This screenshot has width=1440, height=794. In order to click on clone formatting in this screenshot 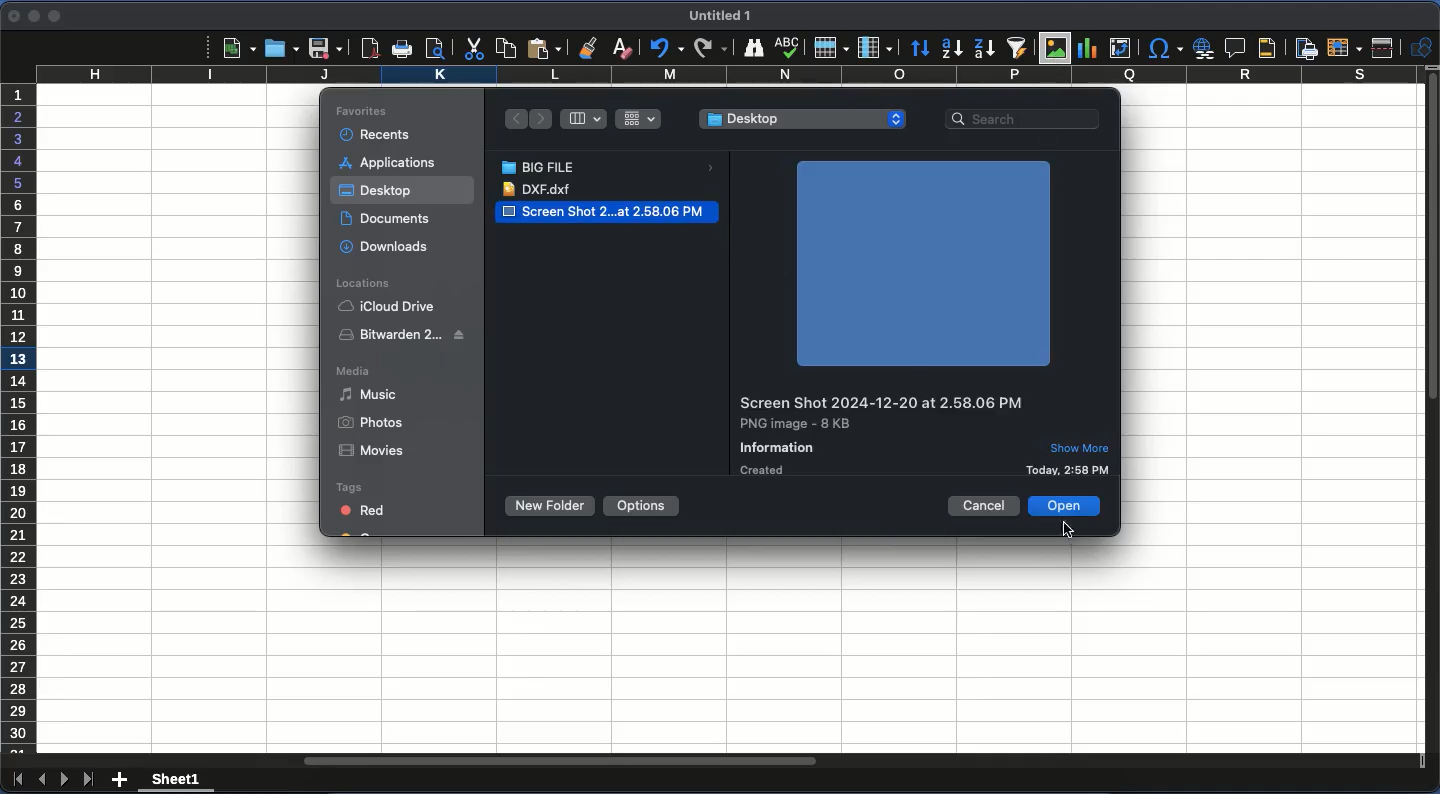, I will do `click(588, 46)`.